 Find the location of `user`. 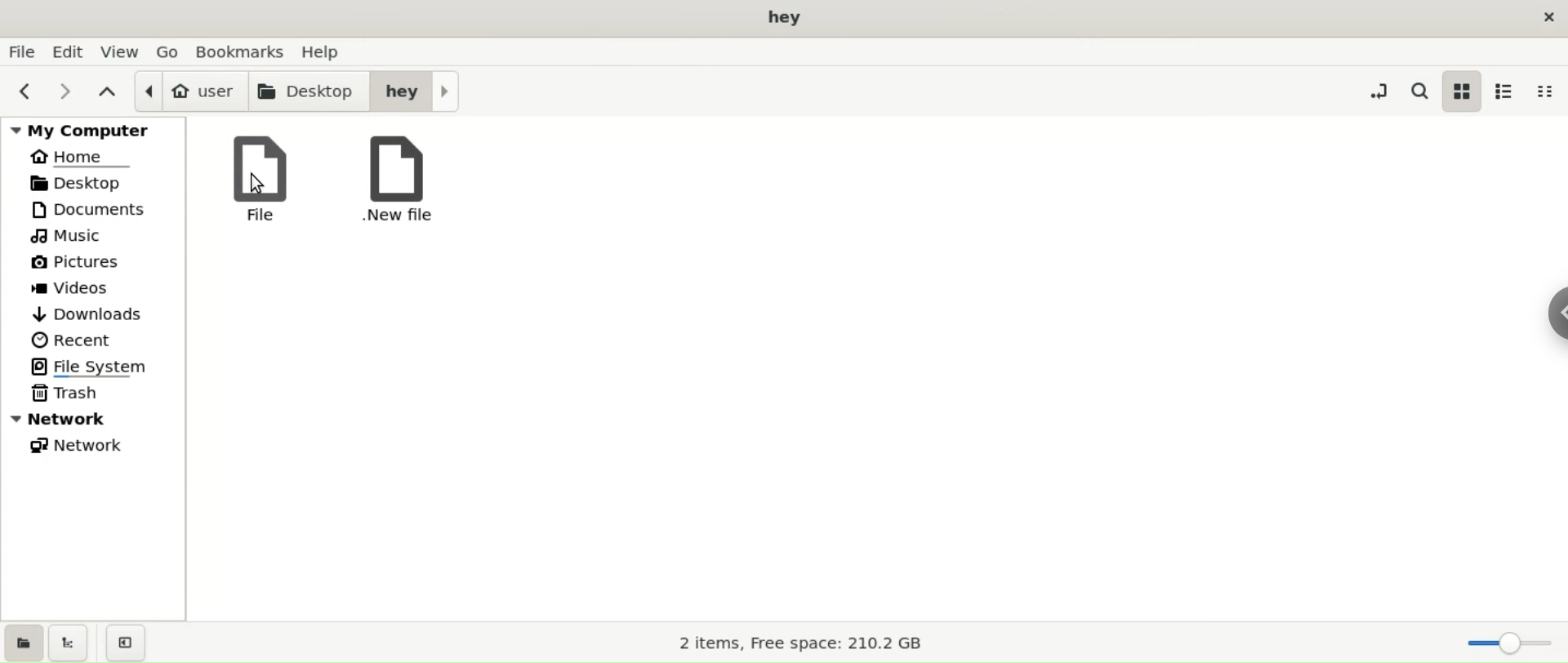

user is located at coordinates (189, 92).